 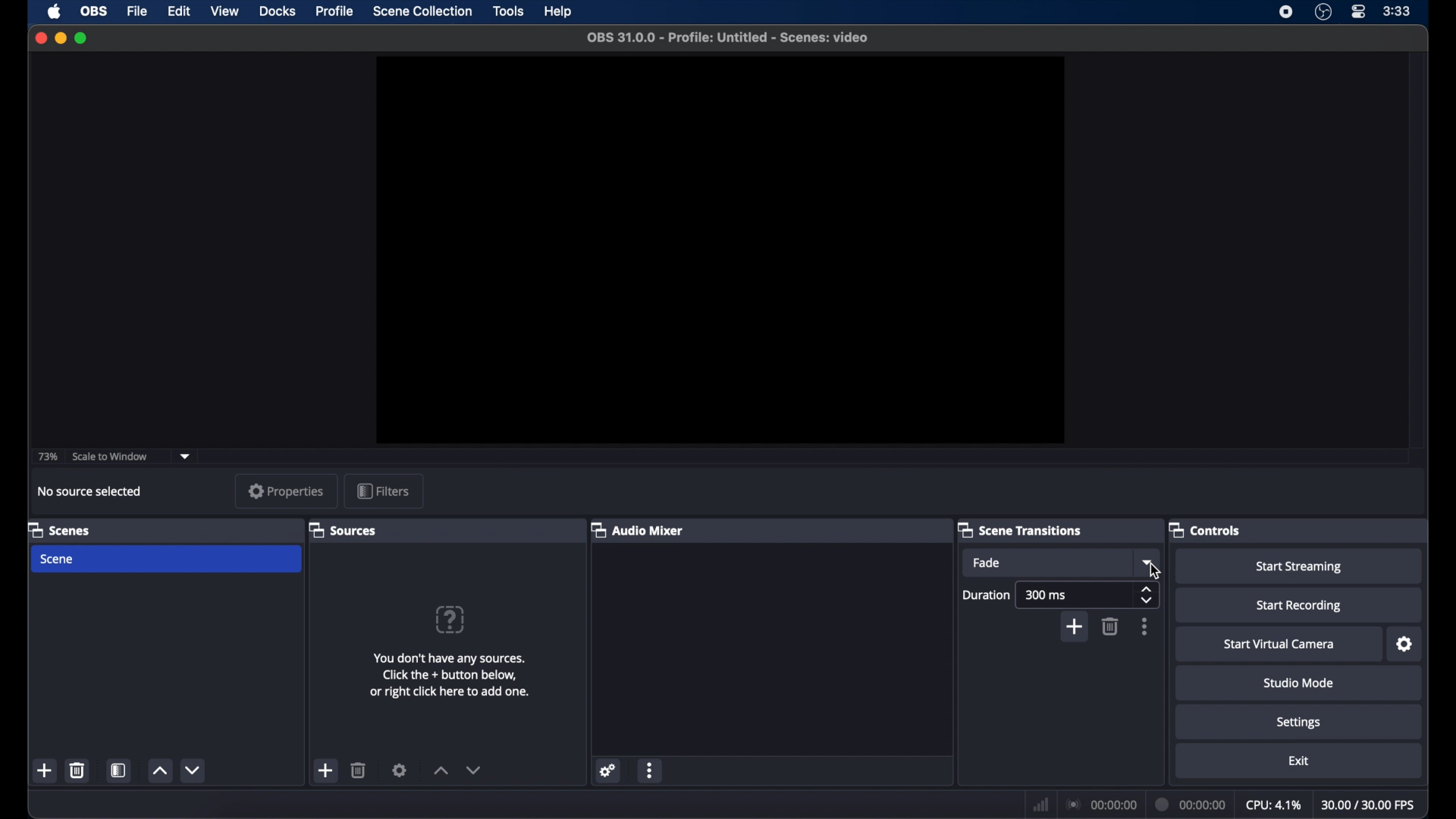 I want to click on tools, so click(x=509, y=11).